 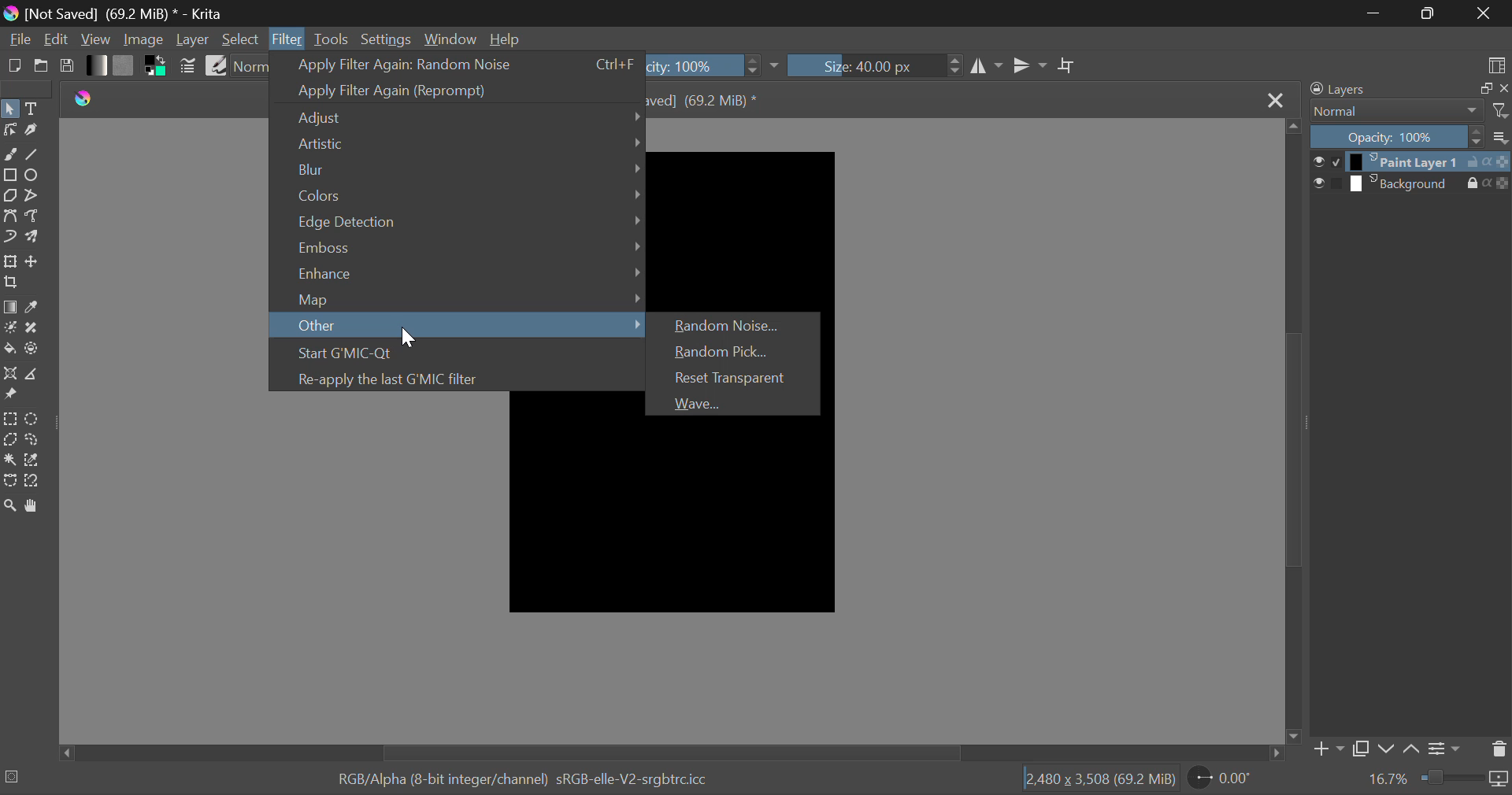 What do you see at coordinates (9, 481) in the screenshot?
I see `Bezier Curve` at bounding box center [9, 481].